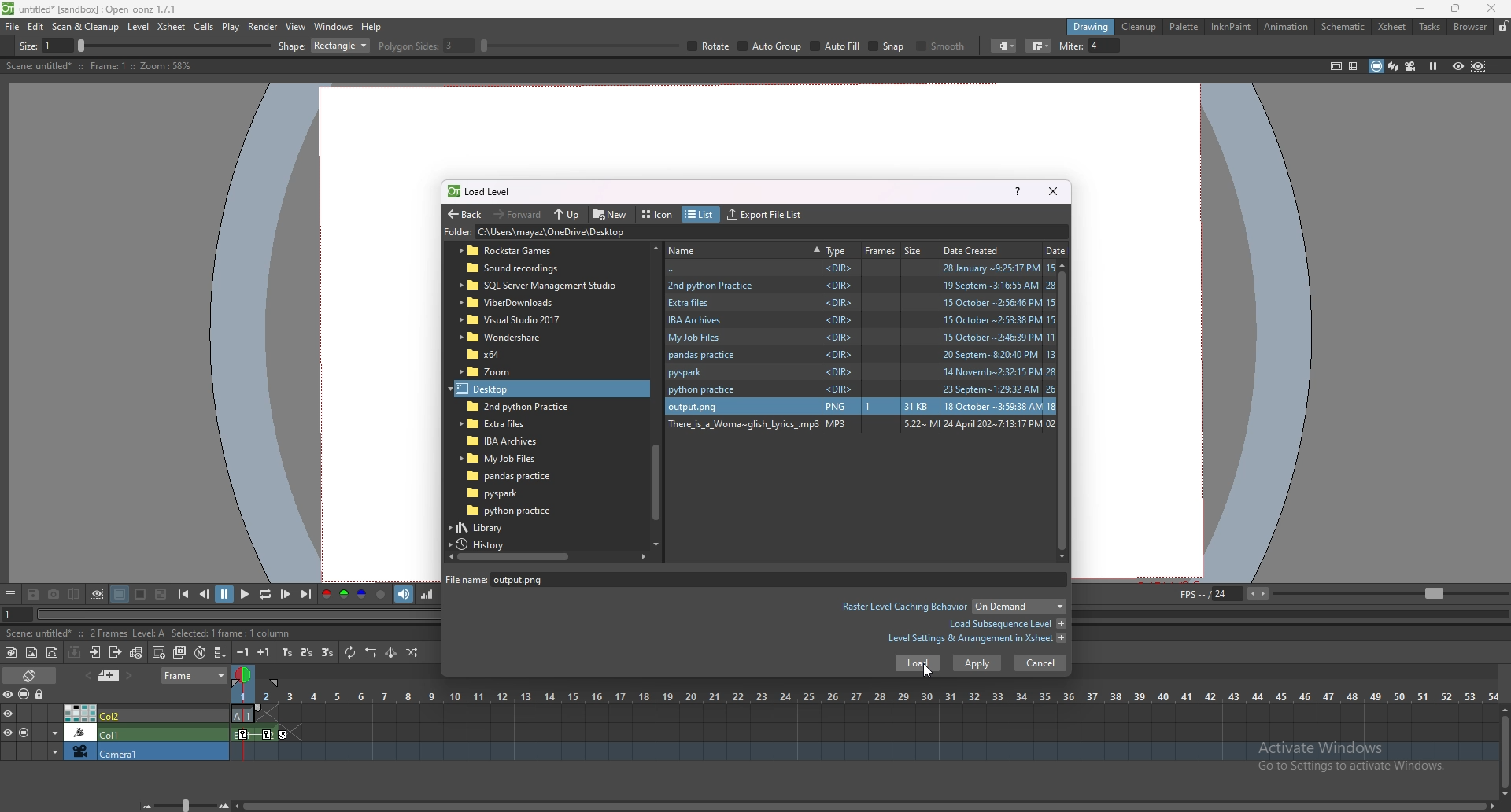  Describe the element at coordinates (656, 393) in the screenshot. I see `horizontal scroll bar` at that location.